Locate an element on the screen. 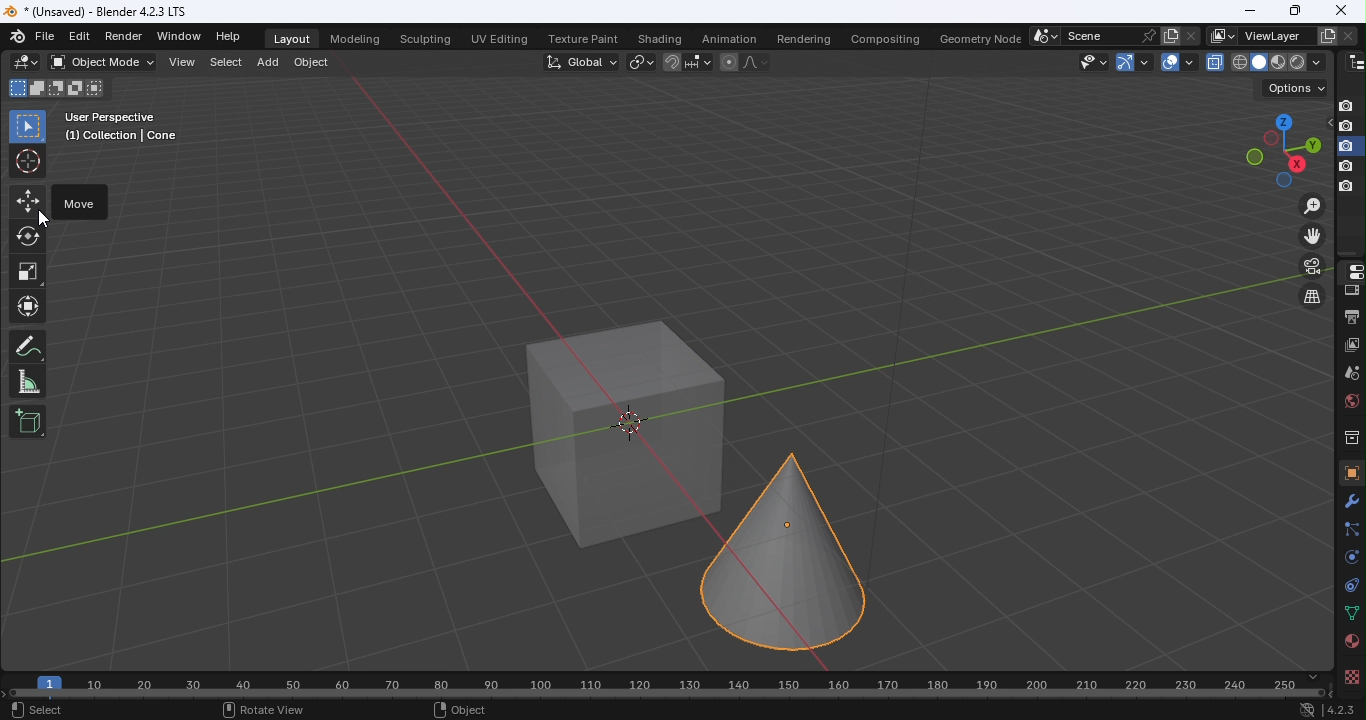 Image resolution: width=1366 pixels, height=720 pixels. Data is located at coordinates (1351, 614).